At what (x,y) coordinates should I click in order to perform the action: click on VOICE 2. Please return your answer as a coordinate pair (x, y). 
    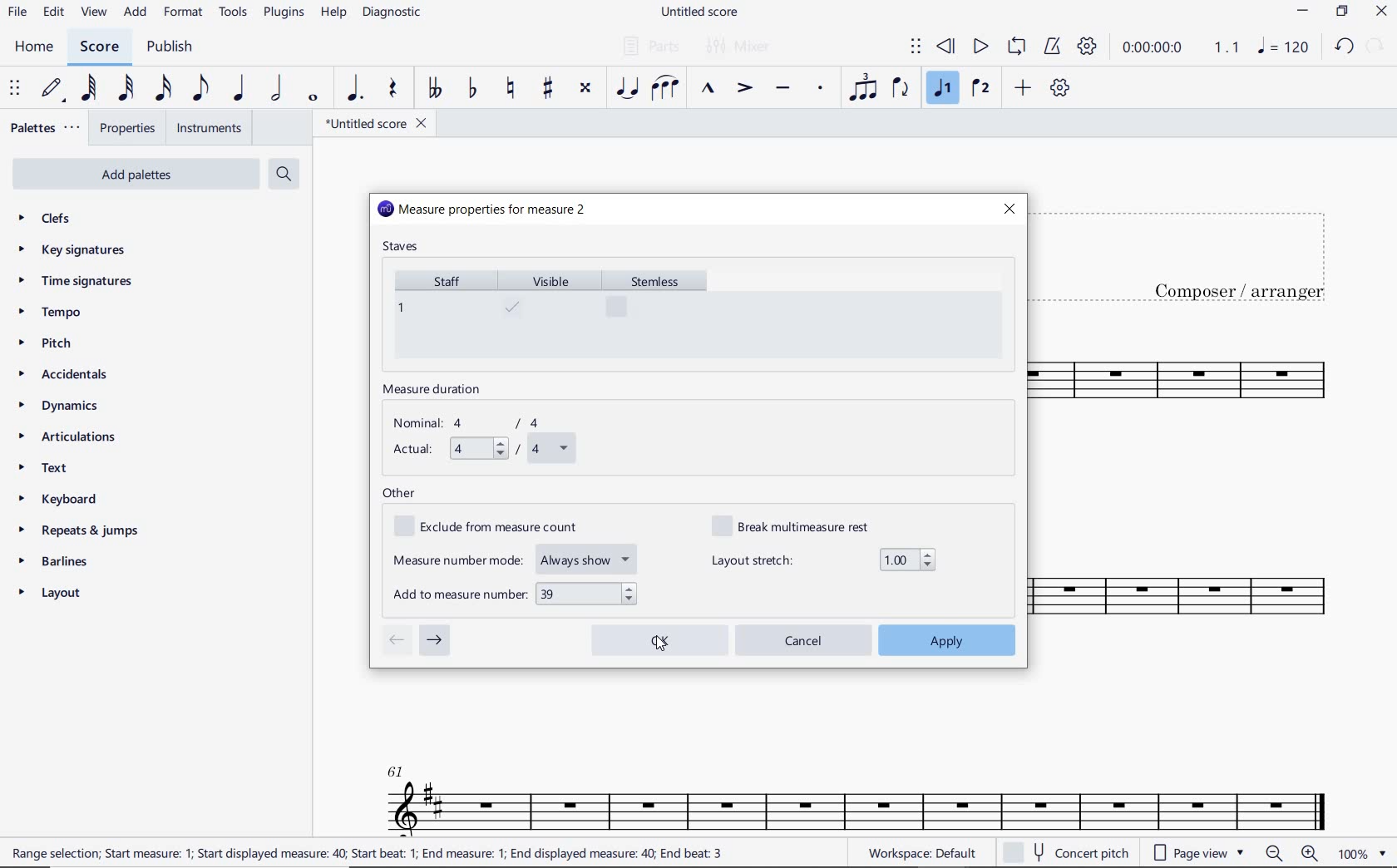
    Looking at the image, I should click on (981, 89).